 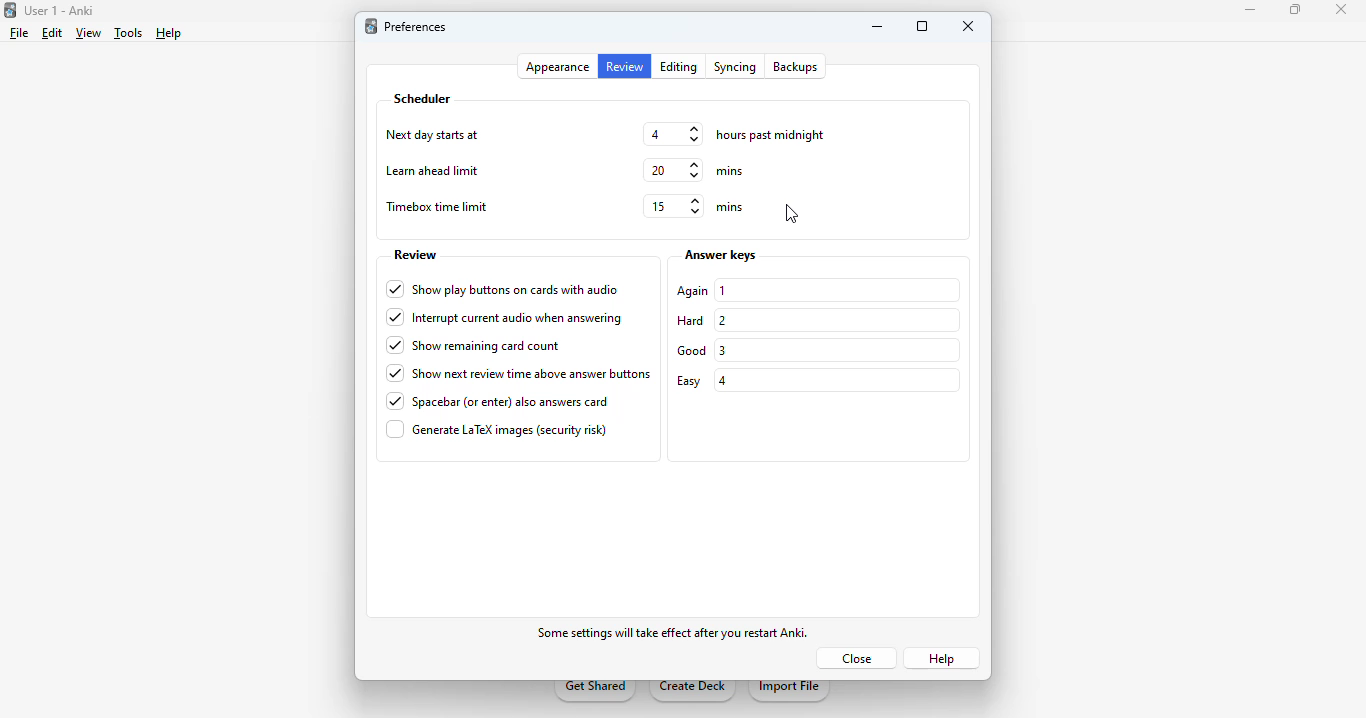 What do you see at coordinates (679, 67) in the screenshot?
I see `editing` at bounding box center [679, 67].